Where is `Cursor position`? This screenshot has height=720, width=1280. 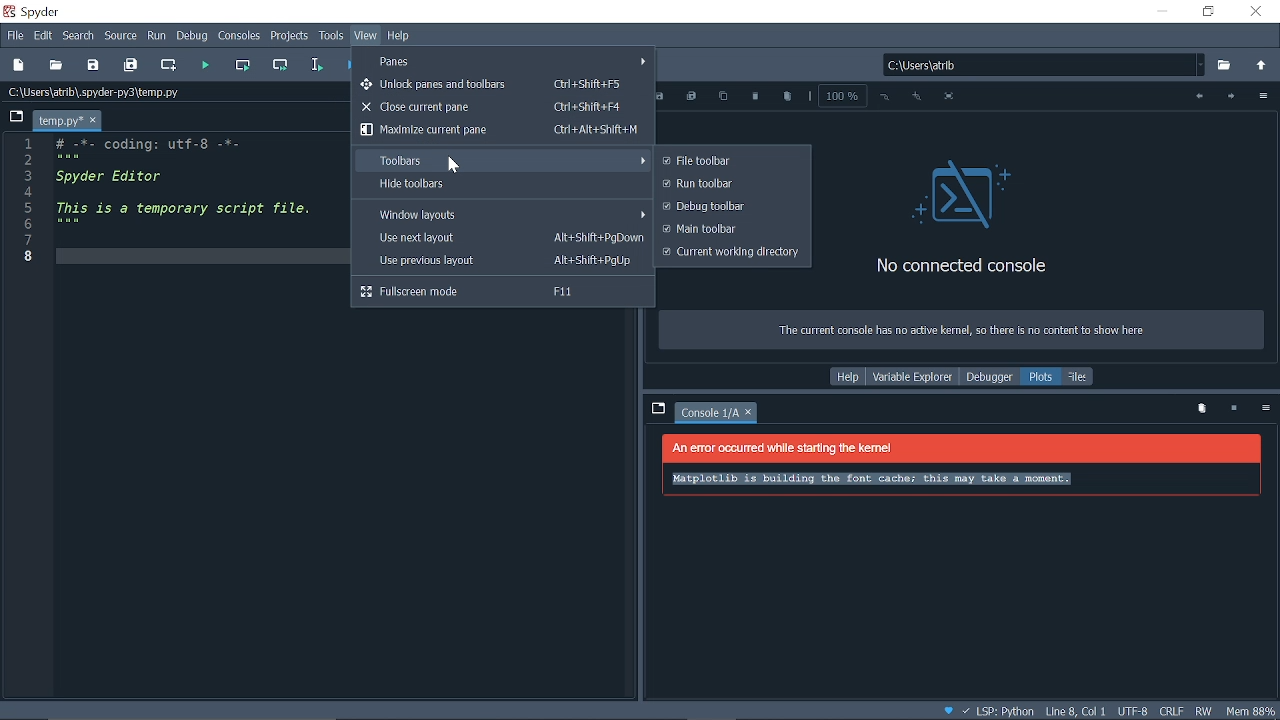 Cursor position is located at coordinates (1075, 712).